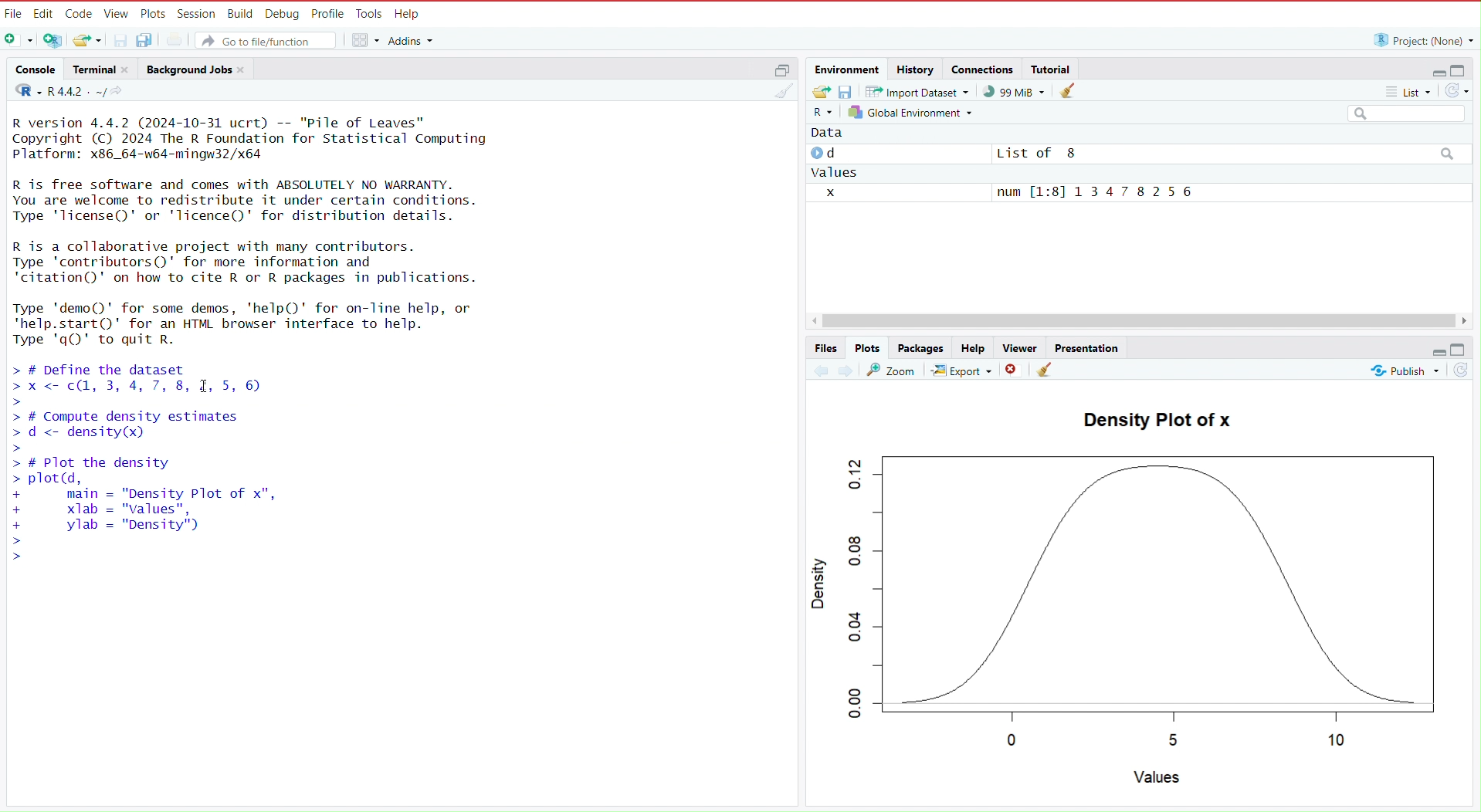 This screenshot has width=1481, height=812. I want to click on R 4.4.2 . ~/, so click(77, 92).